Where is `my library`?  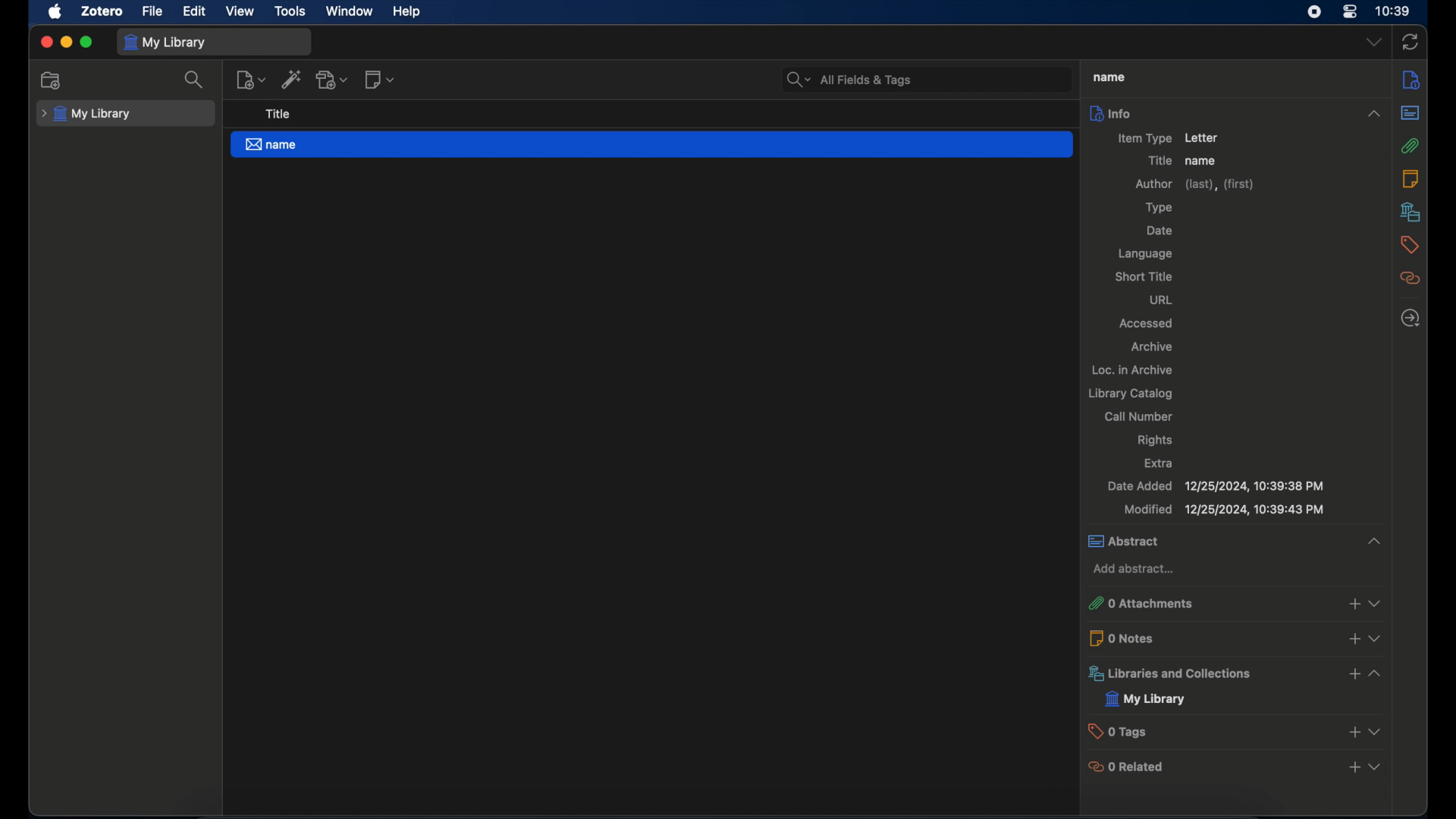
my library is located at coordinates (168, 42).